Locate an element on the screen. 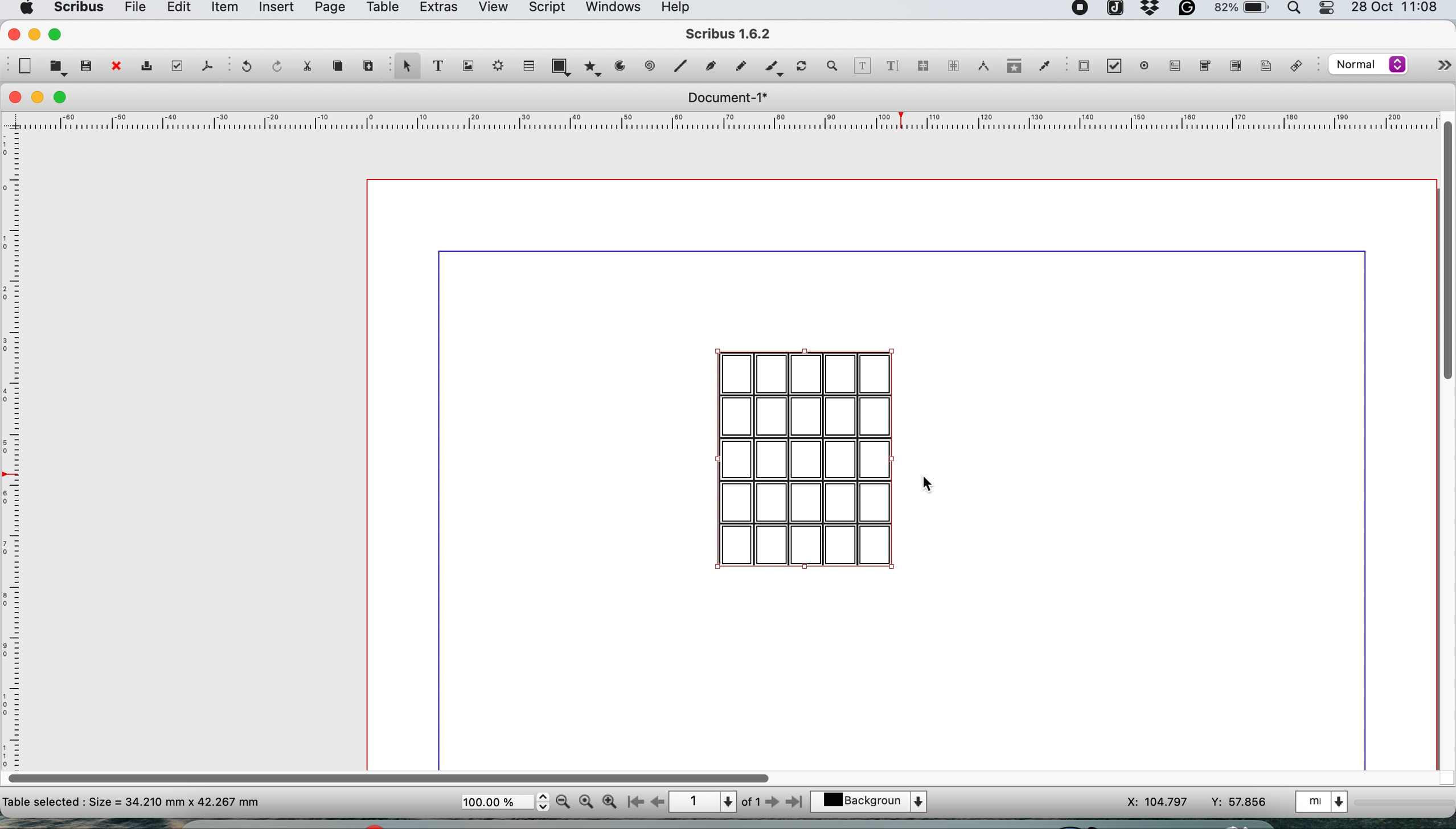 Image resolution: width=1456 pixels, height=829 pixels. page is located at coordinates (328, 10).